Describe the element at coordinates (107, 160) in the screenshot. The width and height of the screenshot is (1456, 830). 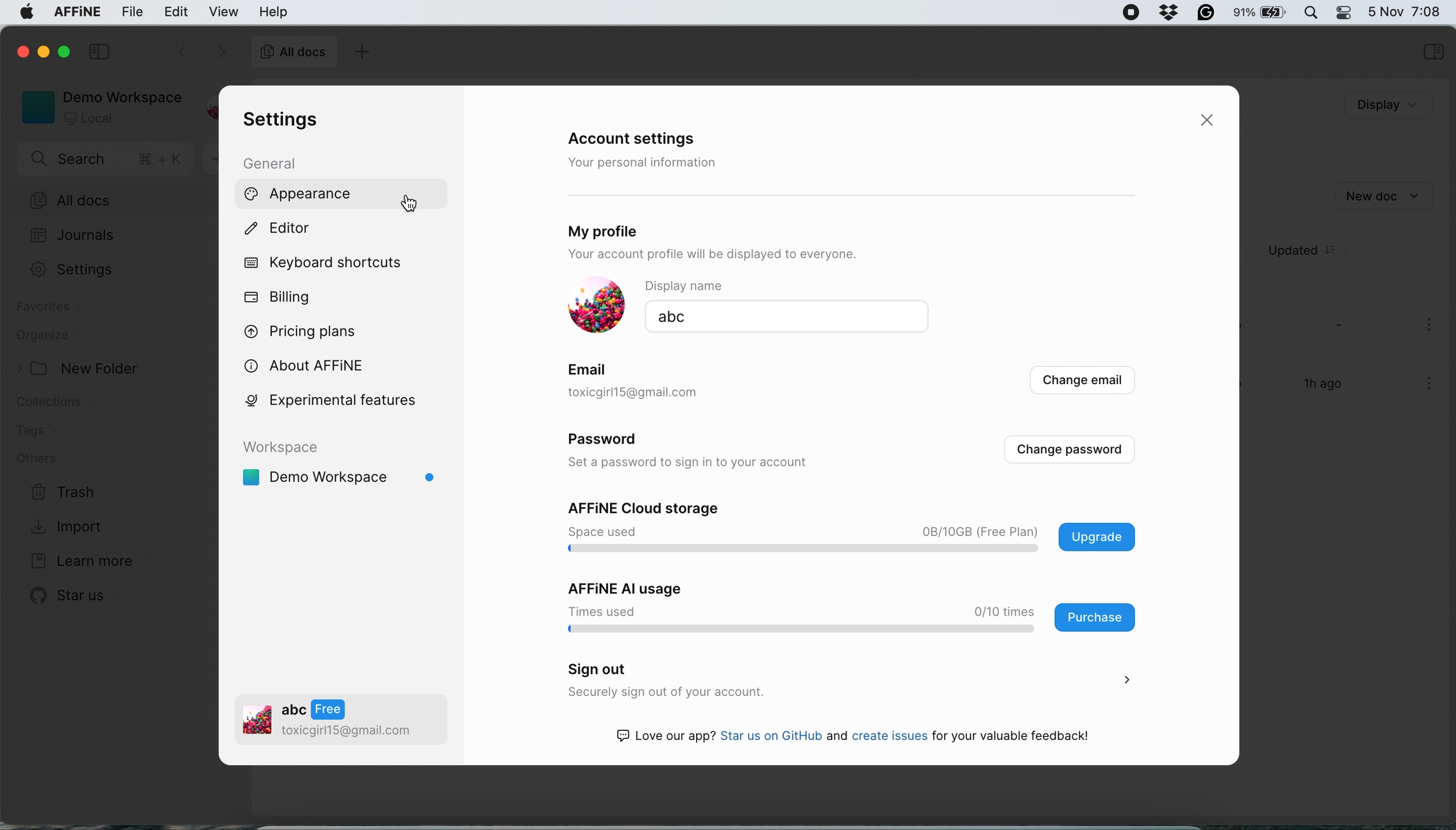
I see `search` at that location.